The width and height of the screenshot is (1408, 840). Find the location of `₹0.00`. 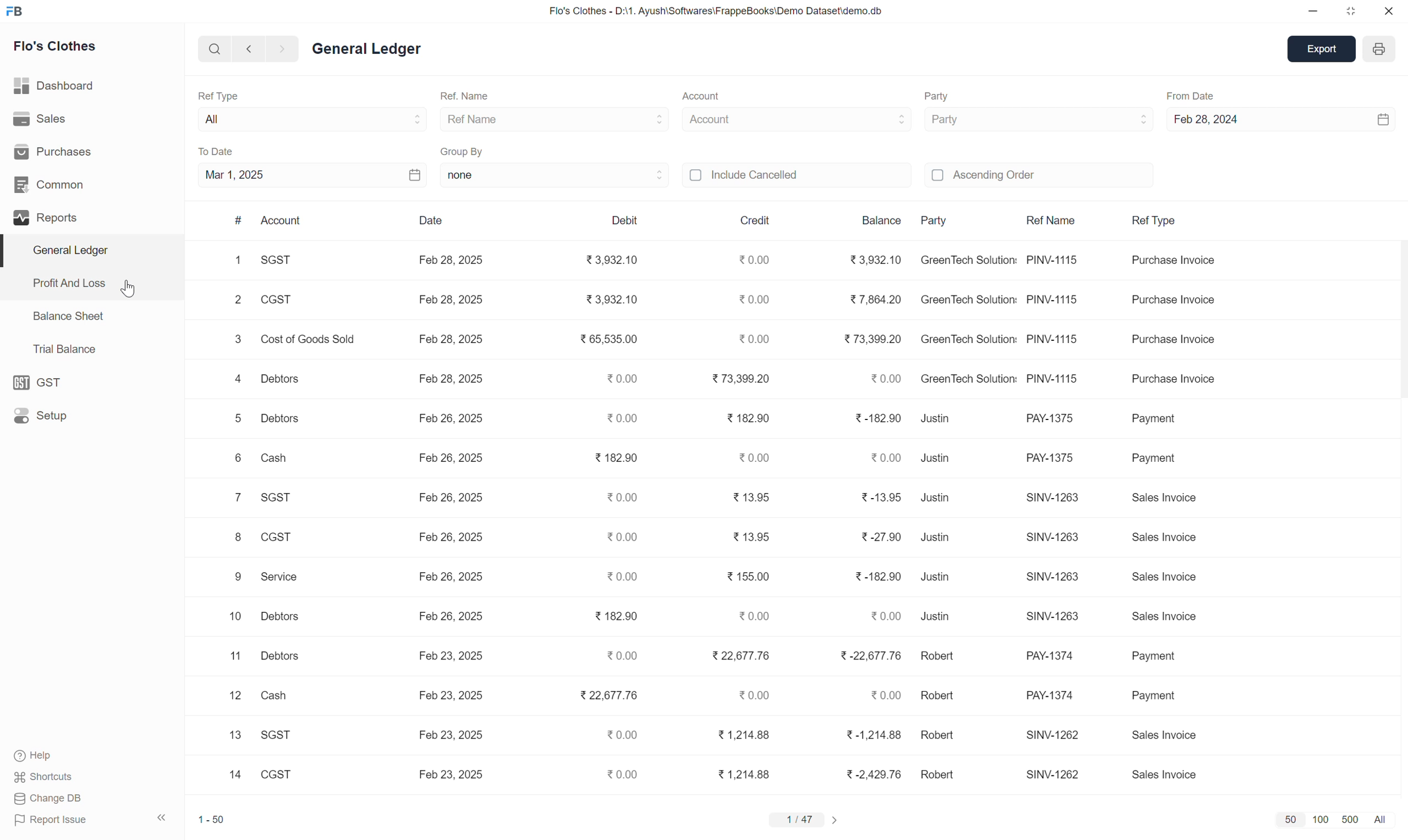

₹0.00 is located at coordinates (880, 697).